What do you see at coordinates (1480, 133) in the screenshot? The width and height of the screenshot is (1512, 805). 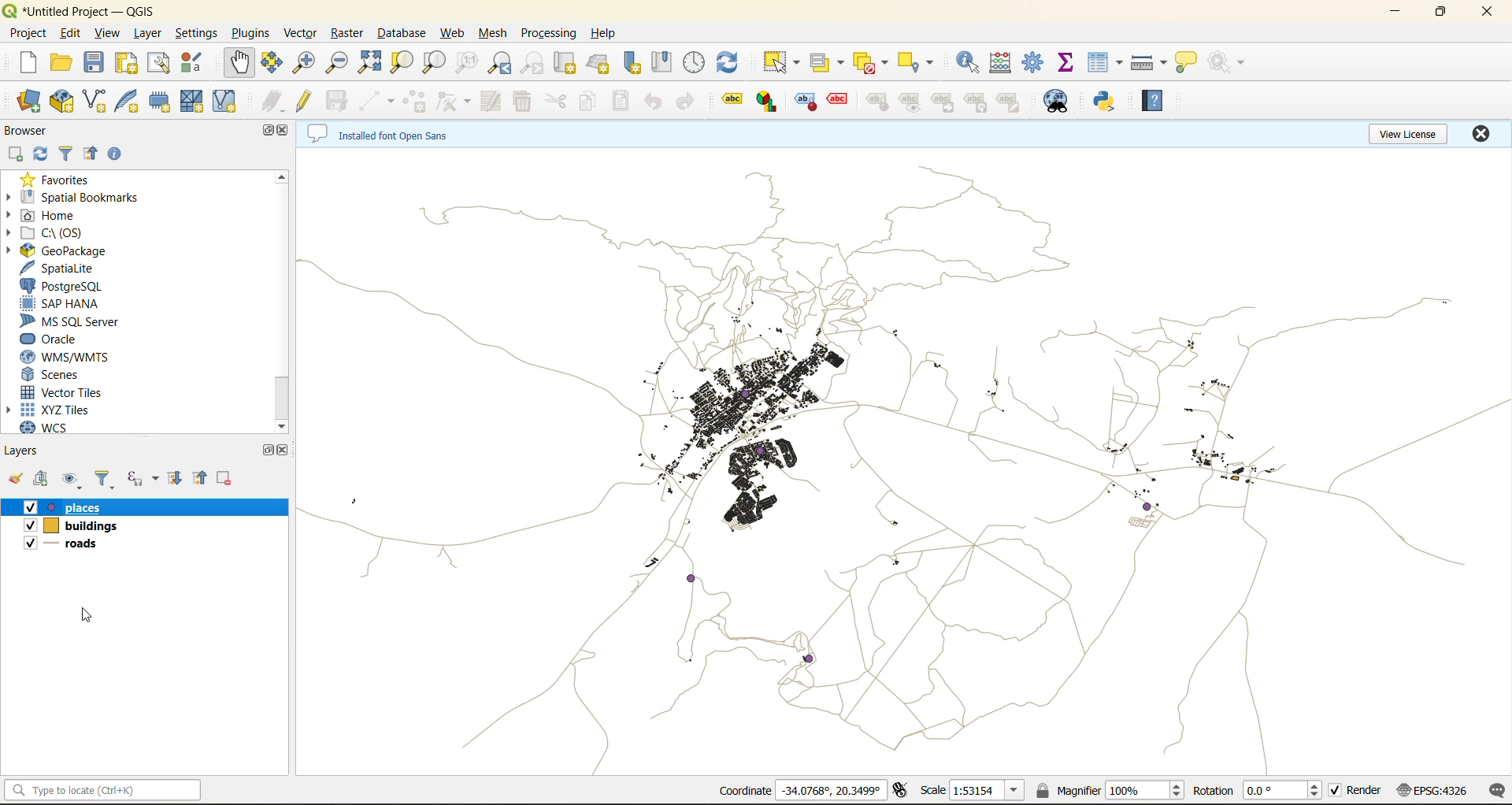 I see `close` at bounding box center [1480, 133].